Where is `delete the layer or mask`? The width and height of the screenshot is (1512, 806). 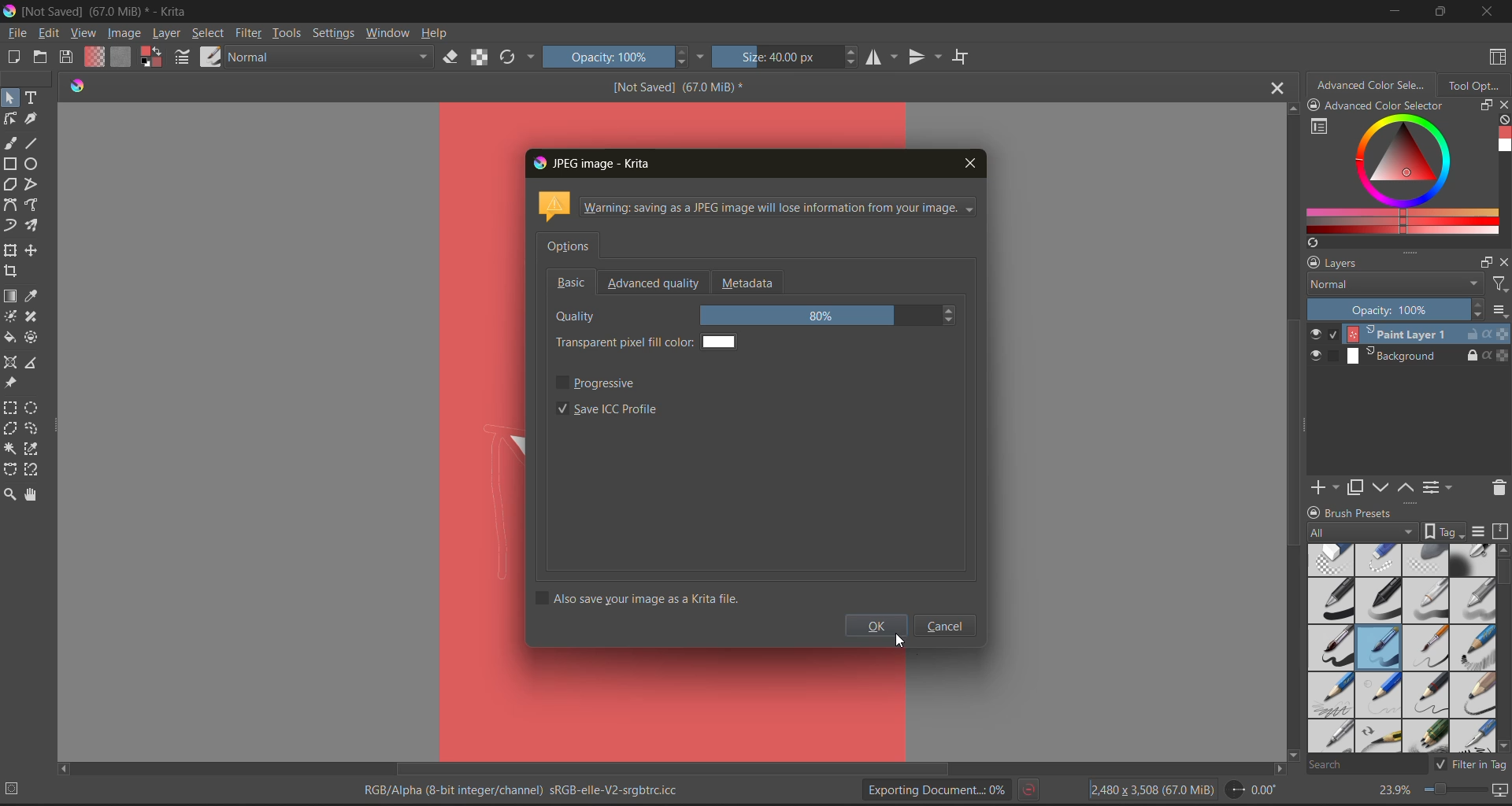 delete the layer or mask is located at coordinates (1494, 490).